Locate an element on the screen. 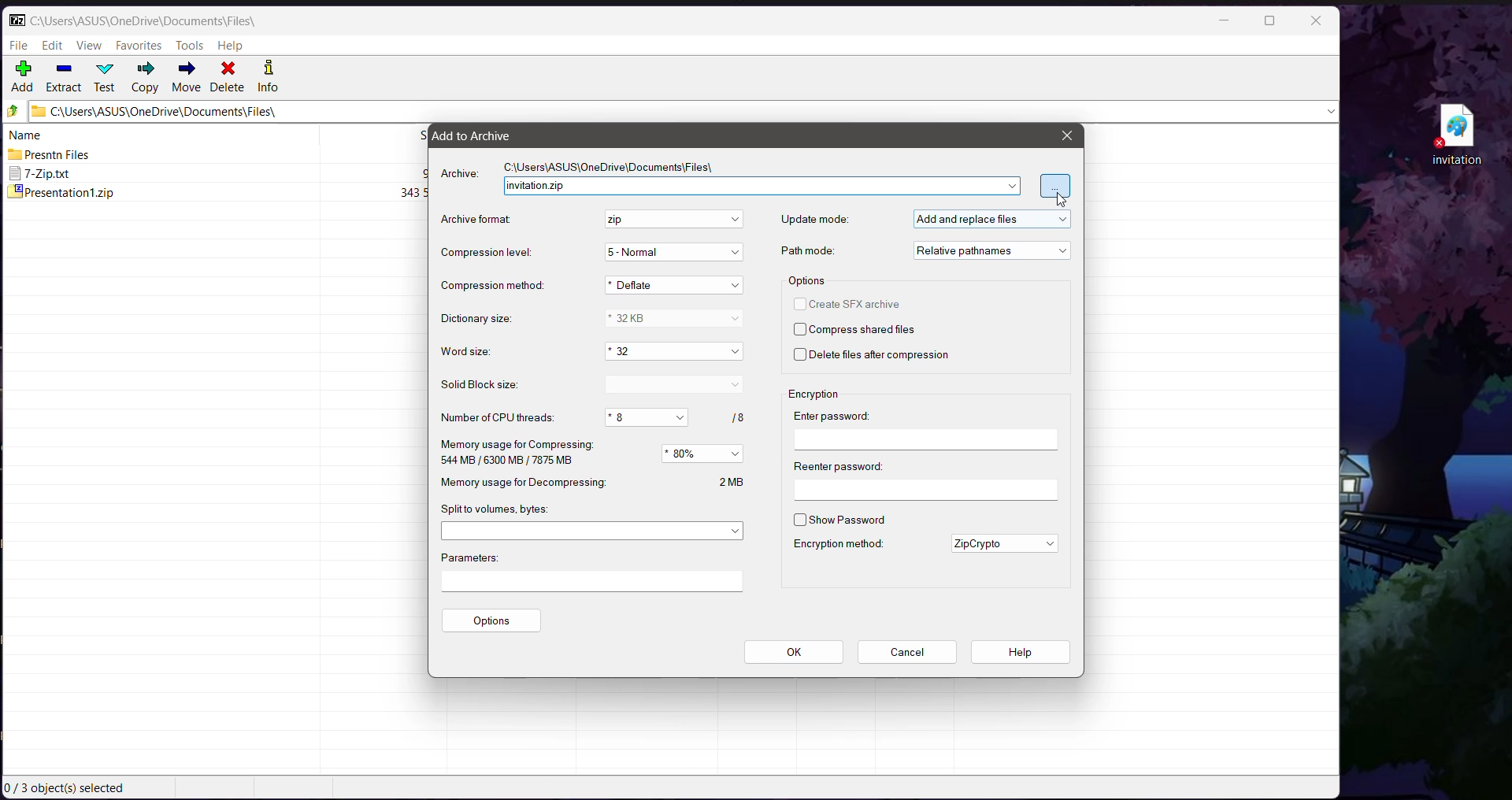  Number of CPU threads is located at coordinates (496, 417).